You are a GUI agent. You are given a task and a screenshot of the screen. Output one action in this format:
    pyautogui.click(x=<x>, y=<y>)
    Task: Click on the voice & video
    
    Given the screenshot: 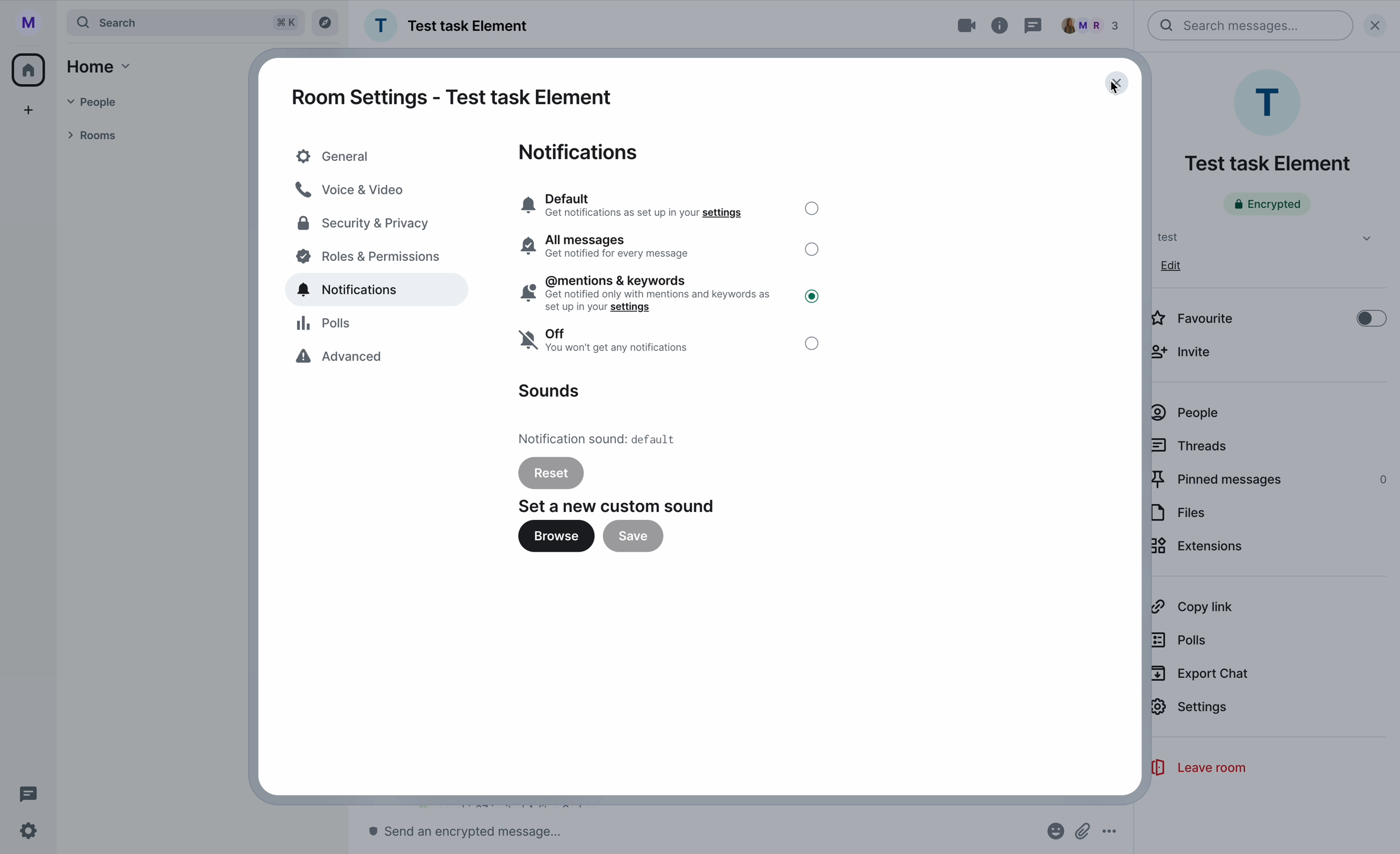 What is the action you would take?
    pyautogui.click(x=352, y=189)
    